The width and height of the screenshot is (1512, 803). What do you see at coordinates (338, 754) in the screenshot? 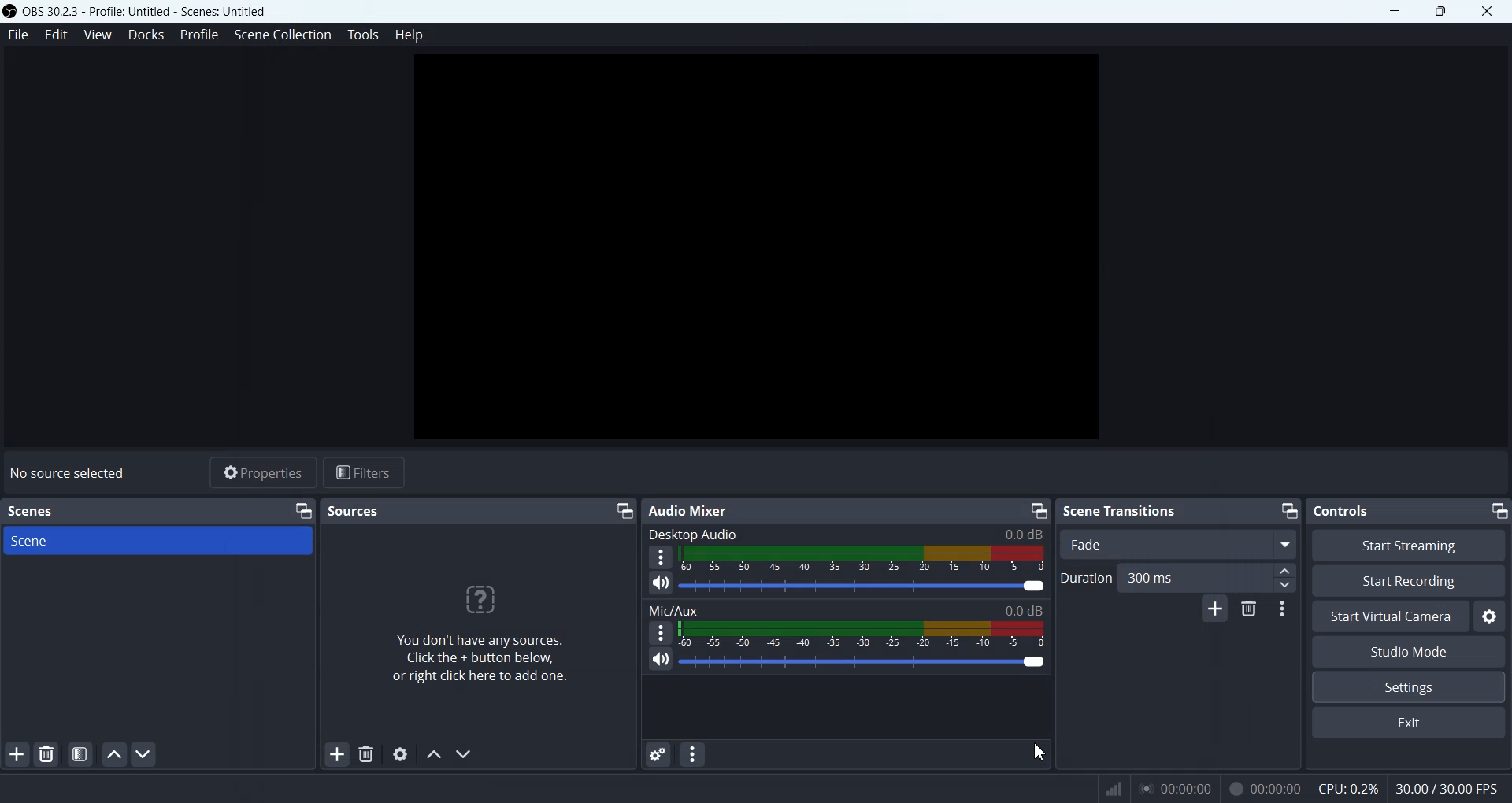
I see `Add Sources` at bounding box center [338, 754].